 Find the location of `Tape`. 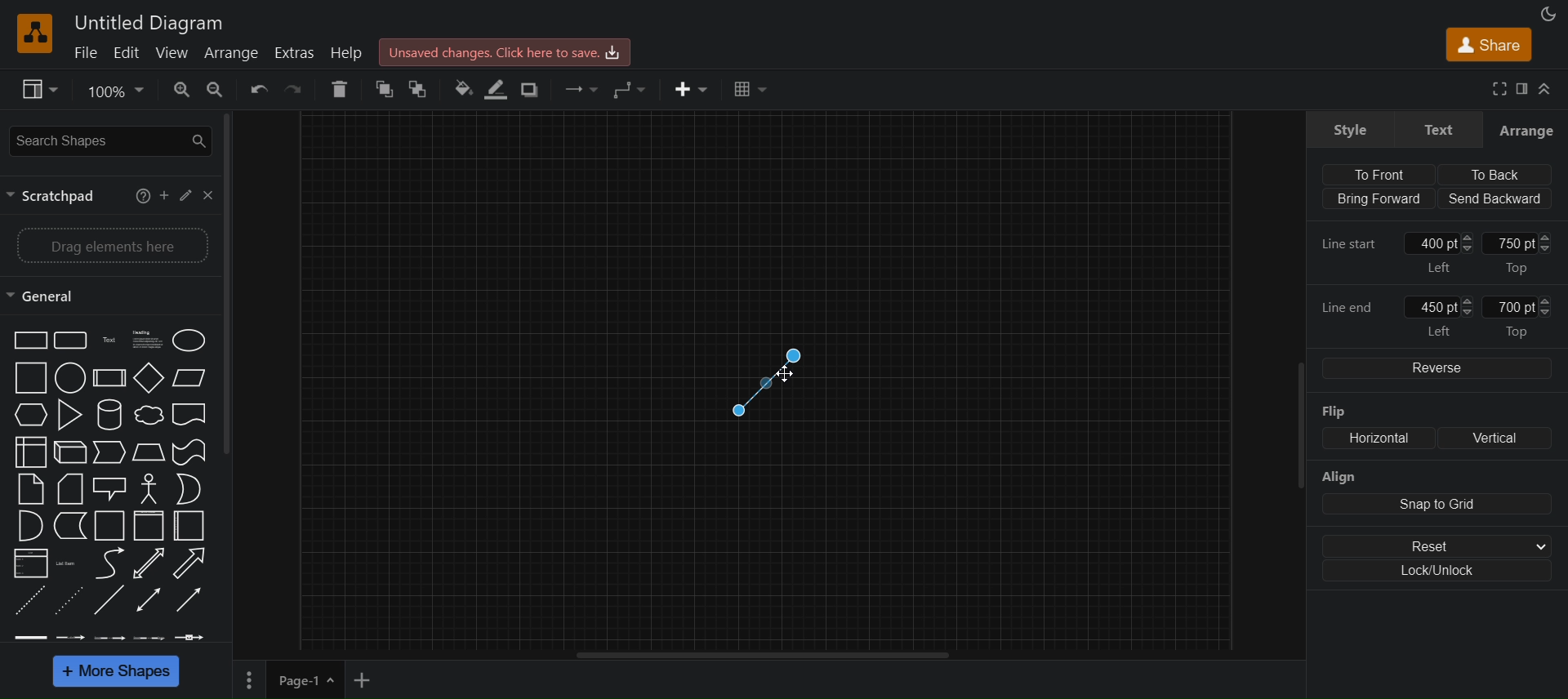

Tape is located at coordinates (188, 452).